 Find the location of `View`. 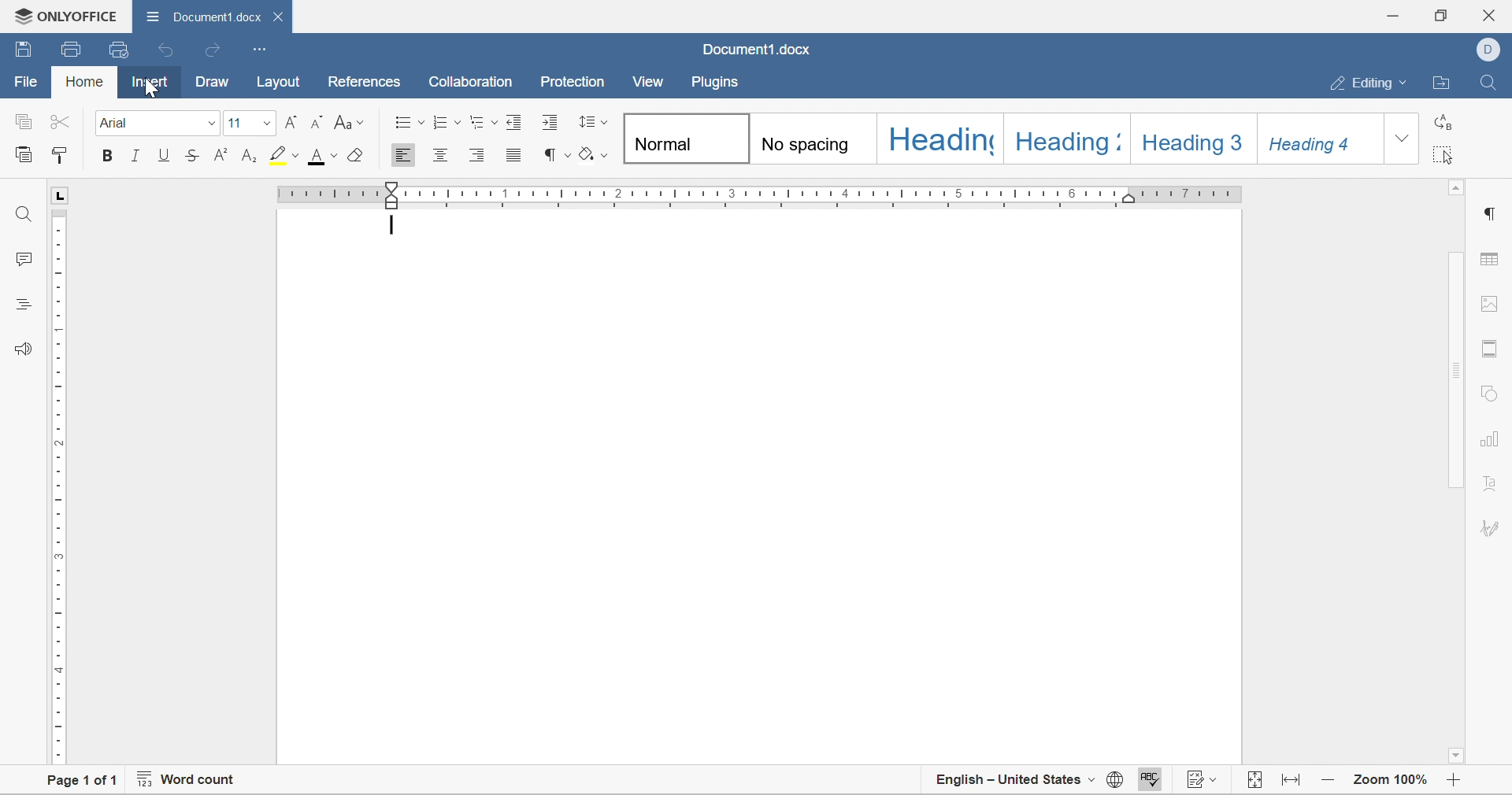

View is located at coordinates (649, 81).